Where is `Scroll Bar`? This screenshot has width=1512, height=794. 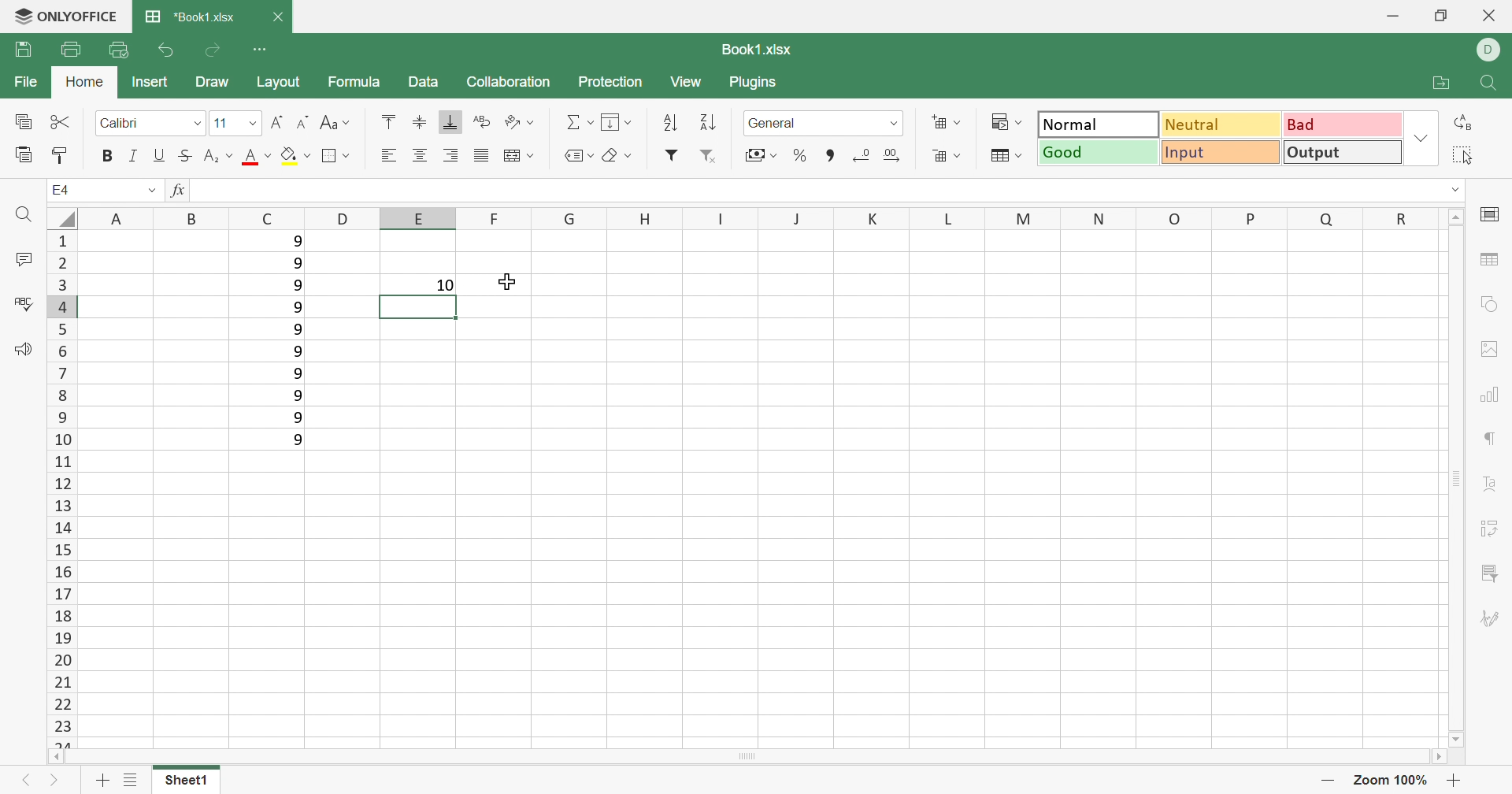
Scroll Bar is located at coordinates (750, 759).